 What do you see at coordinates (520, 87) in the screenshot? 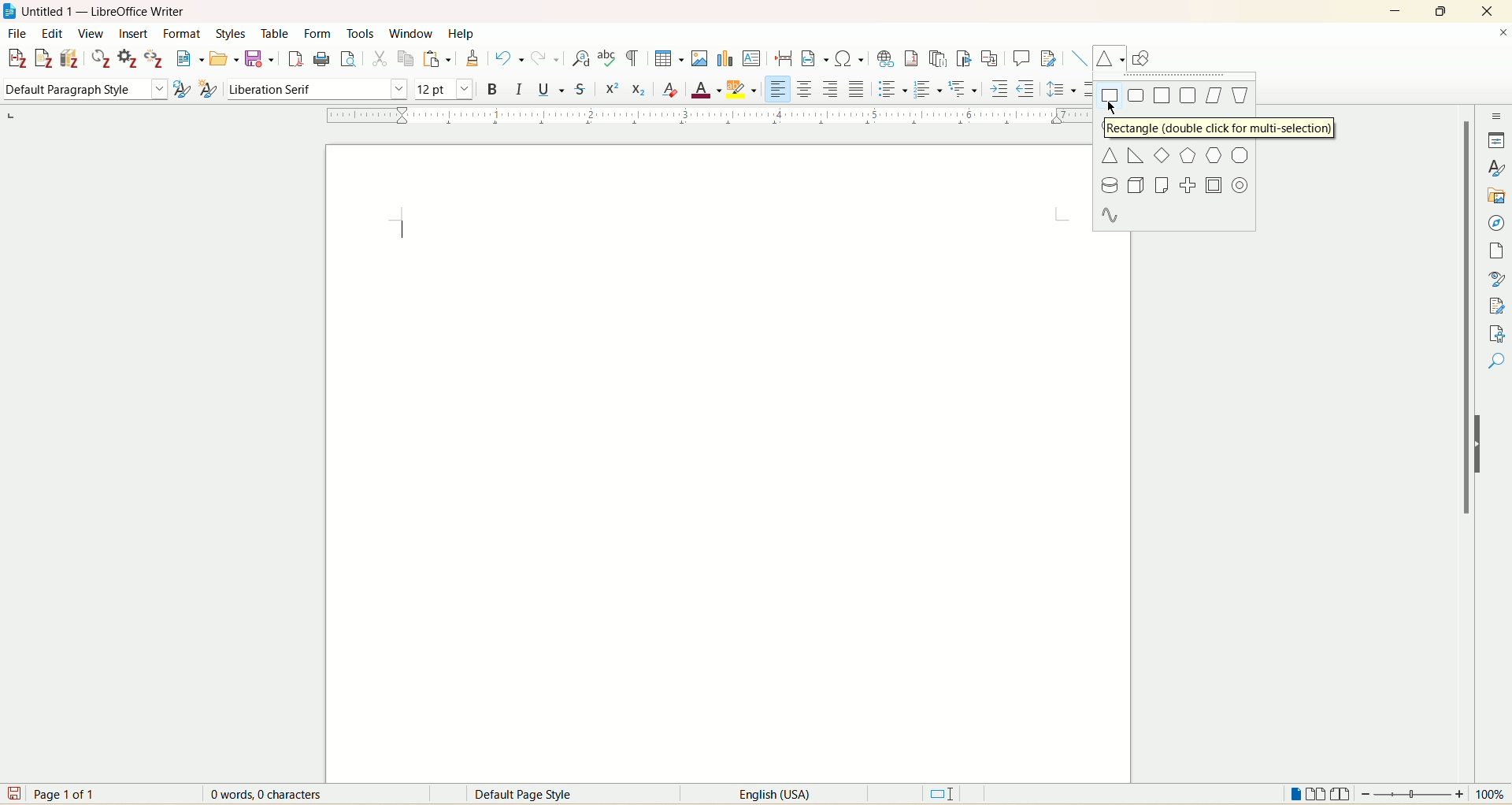
I see `italic` at bounding box center [520, 87].